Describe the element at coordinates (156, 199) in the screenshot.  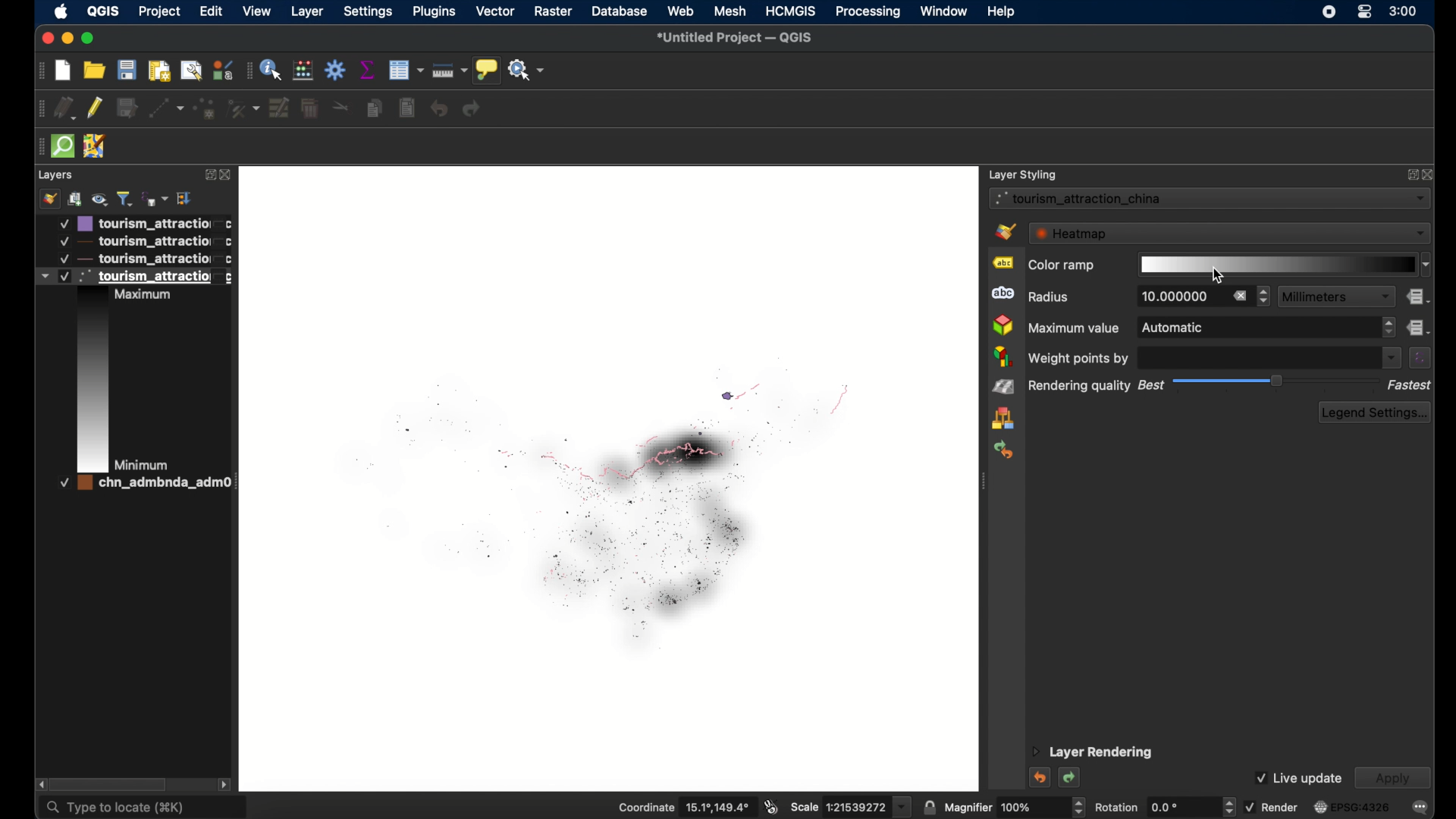
I see `filter legend by expression` at that location.